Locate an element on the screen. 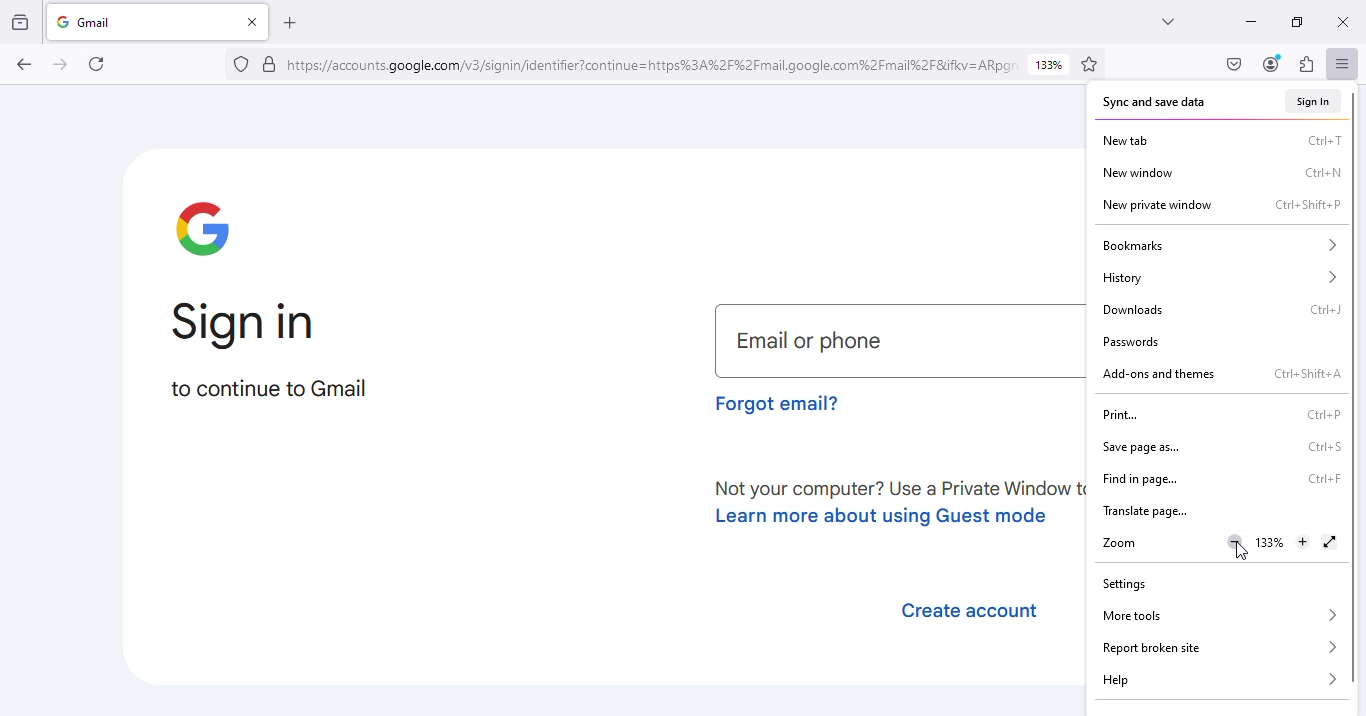 Image resolution: width=1366 pixels, height=716 pixels. shortcut for downloads is located at coordinates (1322, 309).